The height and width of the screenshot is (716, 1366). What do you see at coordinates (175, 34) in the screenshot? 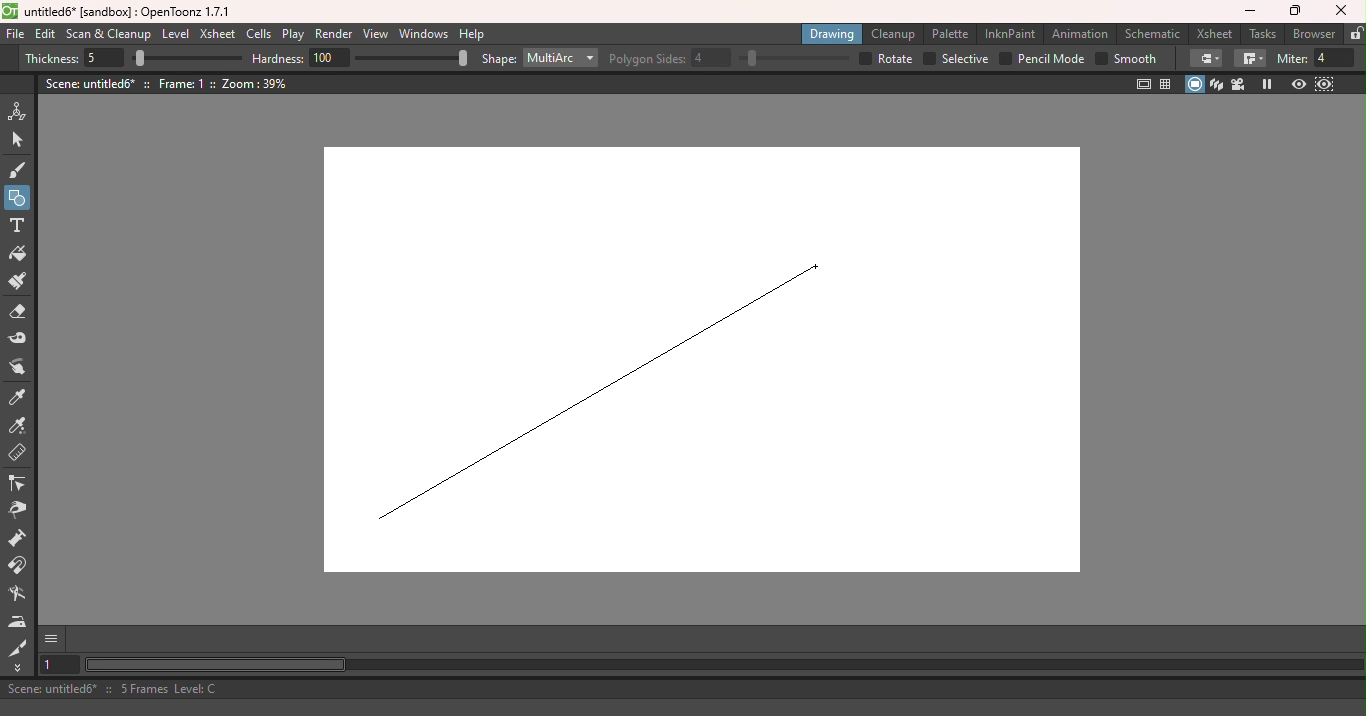
I see `Level` at bounding box center [175, 34].